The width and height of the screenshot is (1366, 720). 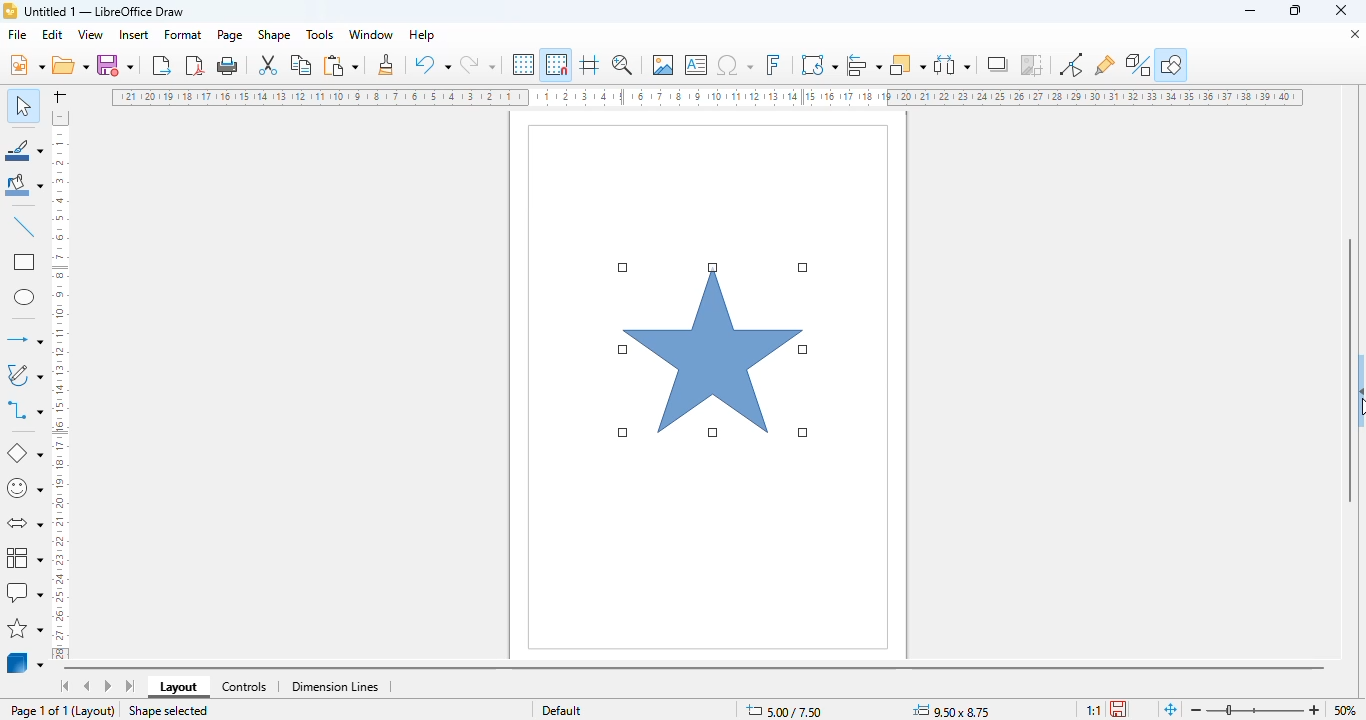 I want to click on scaling factor of the document, so click(x=1093, y=709).